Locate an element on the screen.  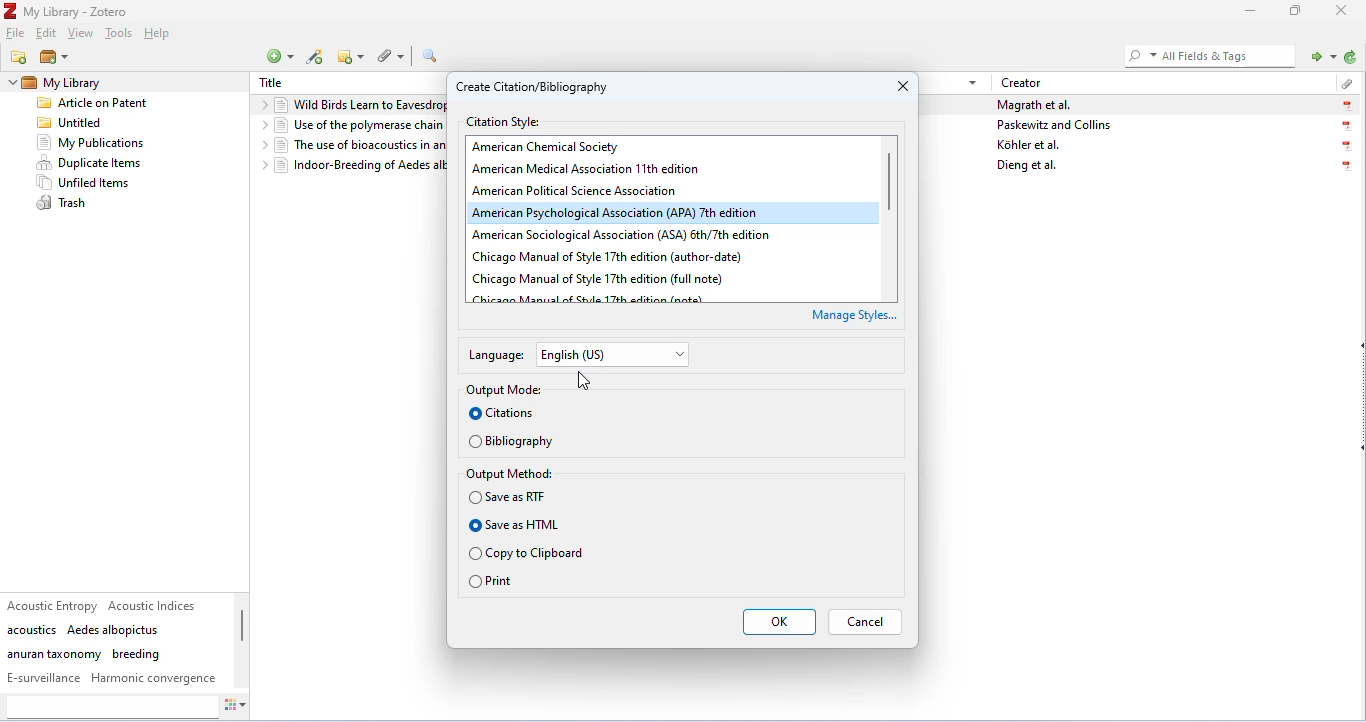
minimize is located at coordinates (1246, 12).